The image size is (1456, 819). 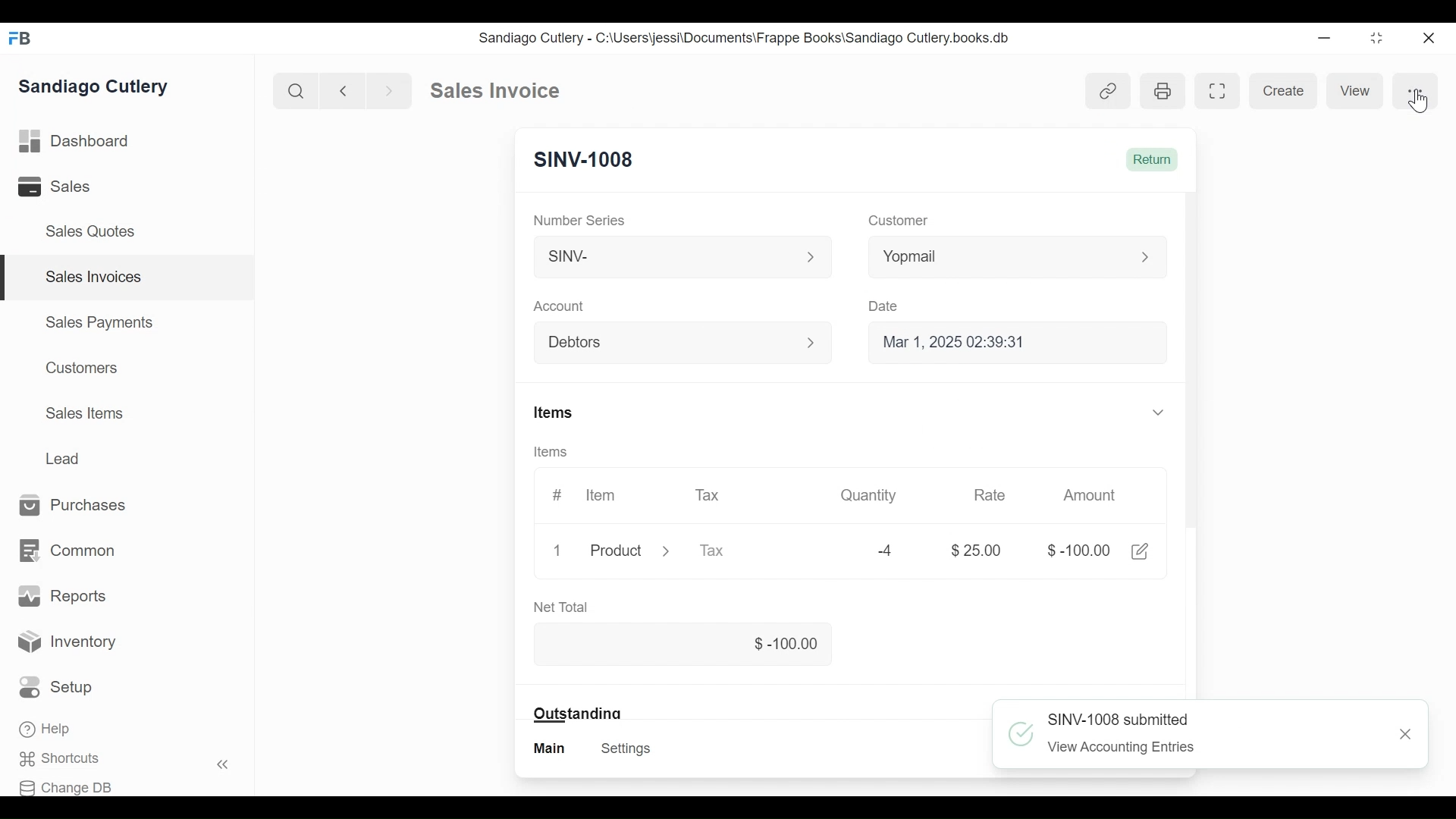 I want to click on Setup, so click(x=56, y=687).